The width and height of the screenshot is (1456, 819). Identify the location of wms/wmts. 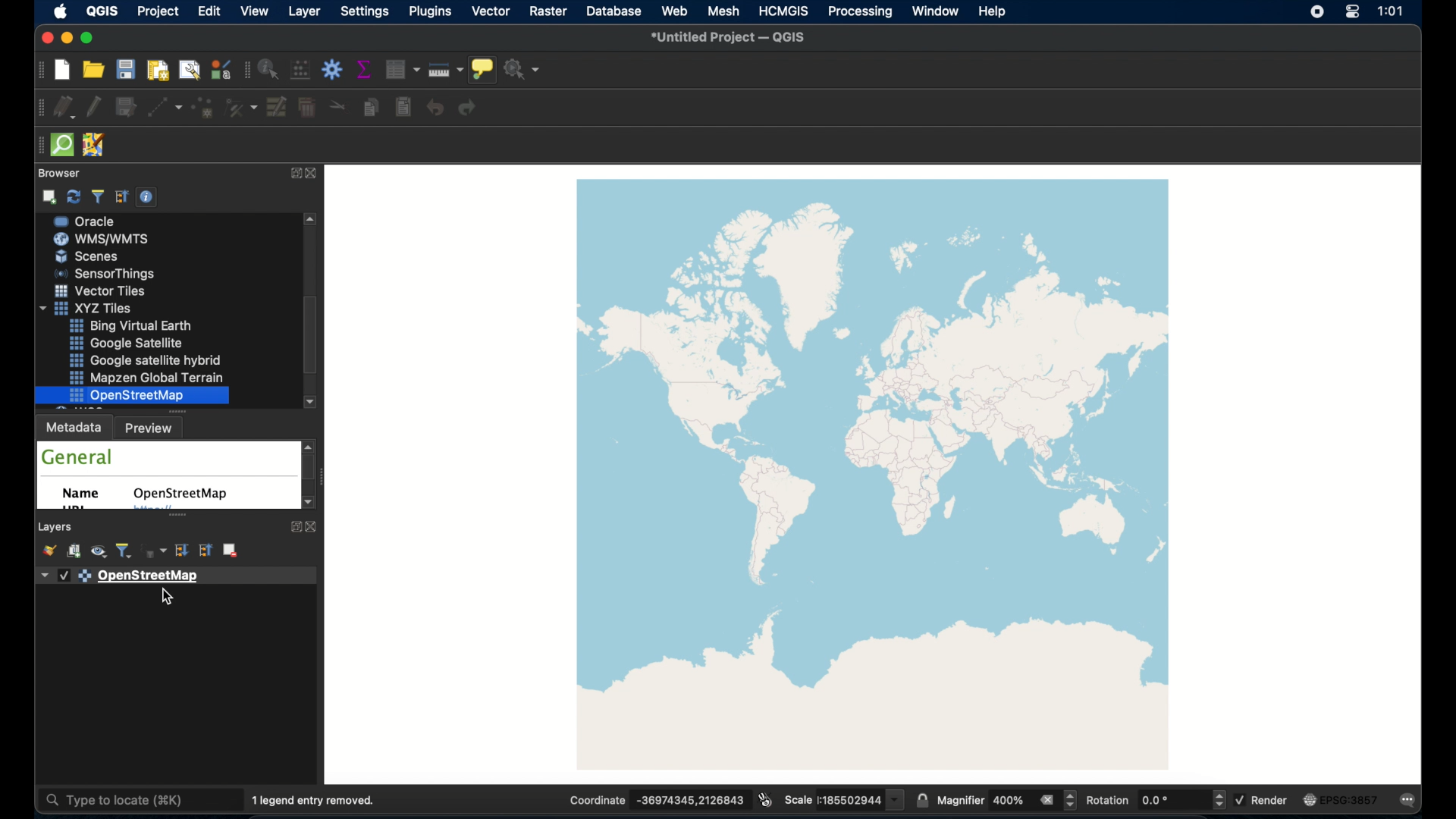
(102, 291).